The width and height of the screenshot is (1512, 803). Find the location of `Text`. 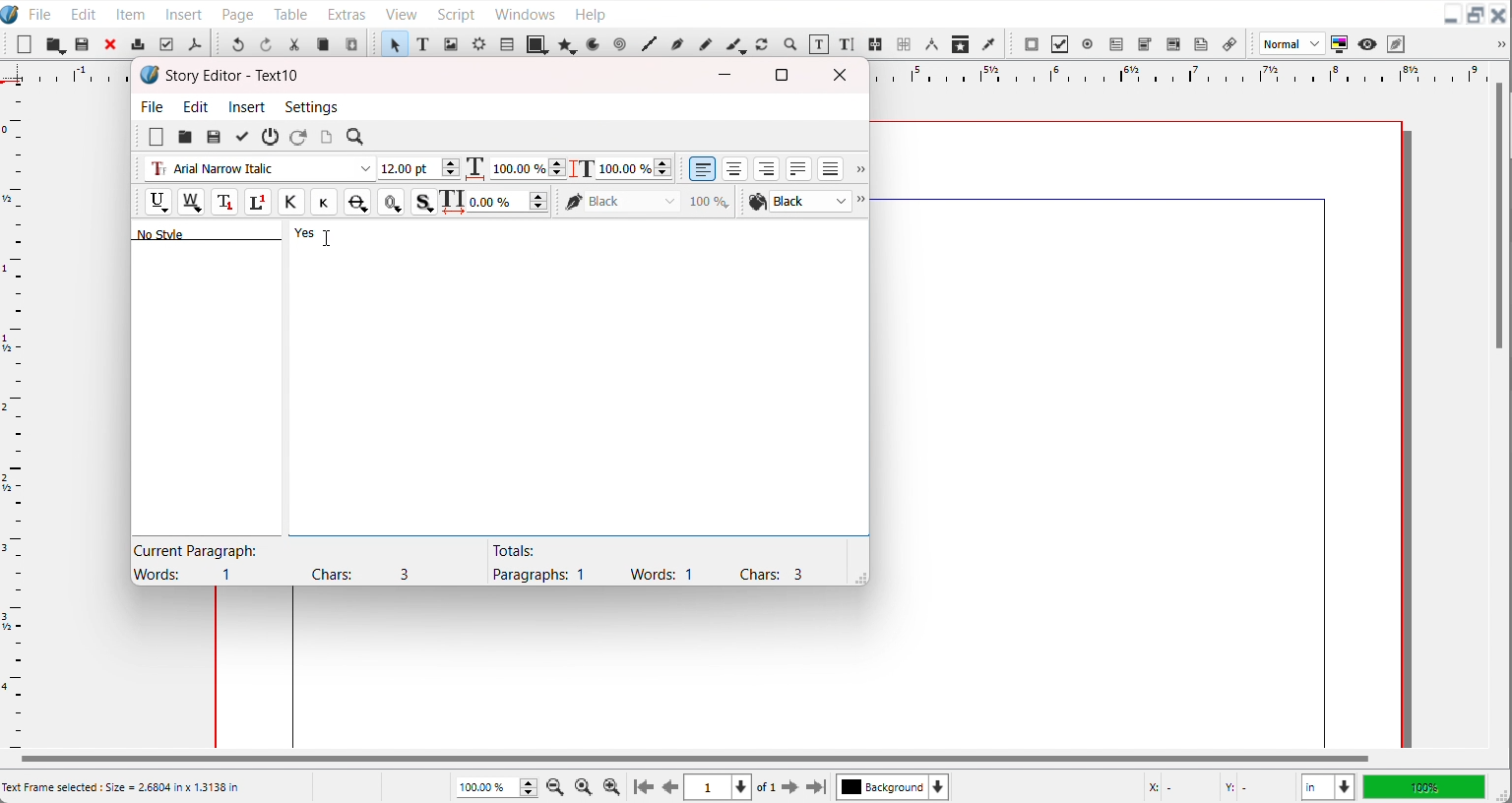

Text is located at coordinates (285, 562).